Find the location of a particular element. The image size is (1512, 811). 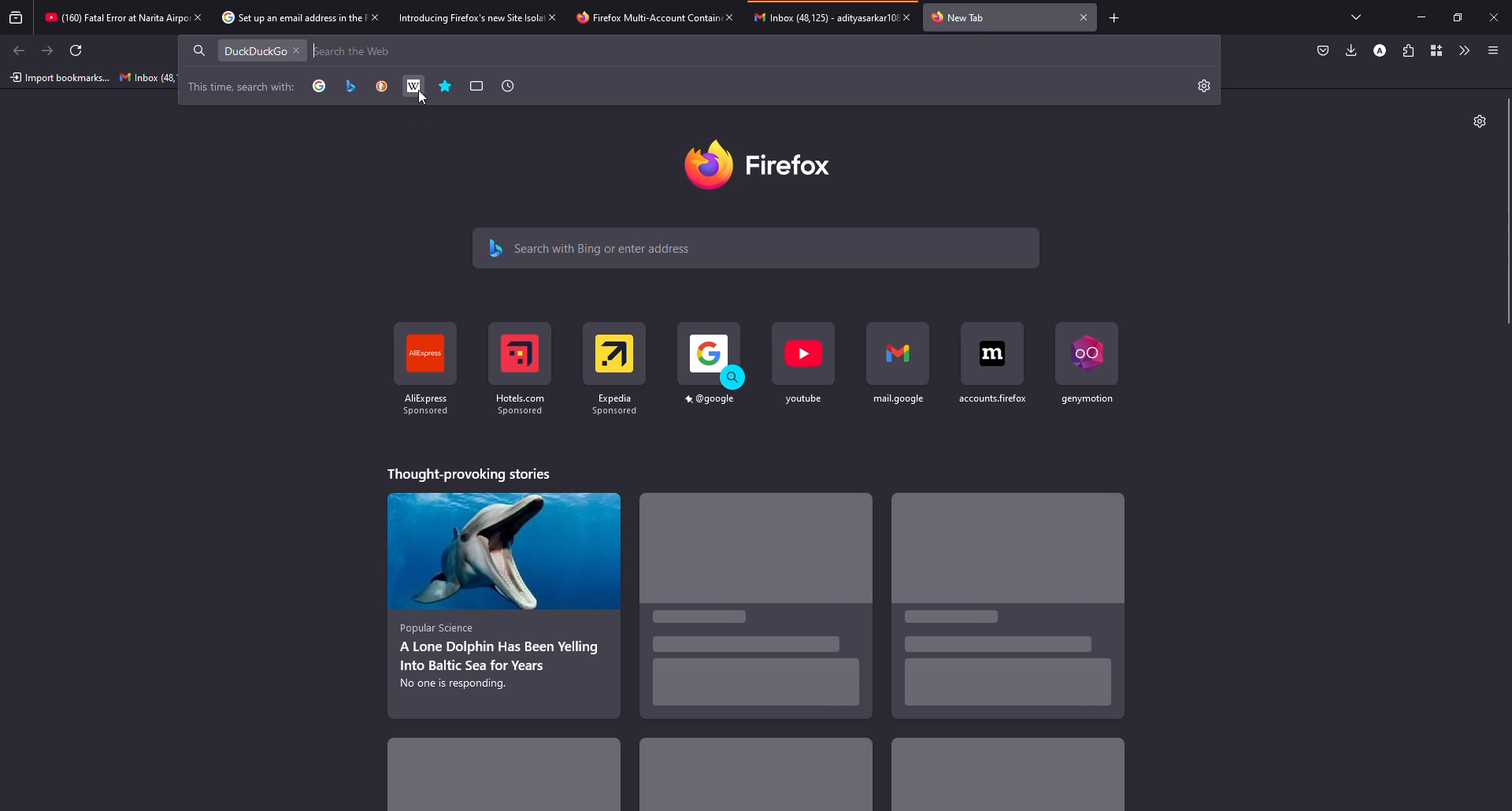

tab is located at coordinates (817, 23).